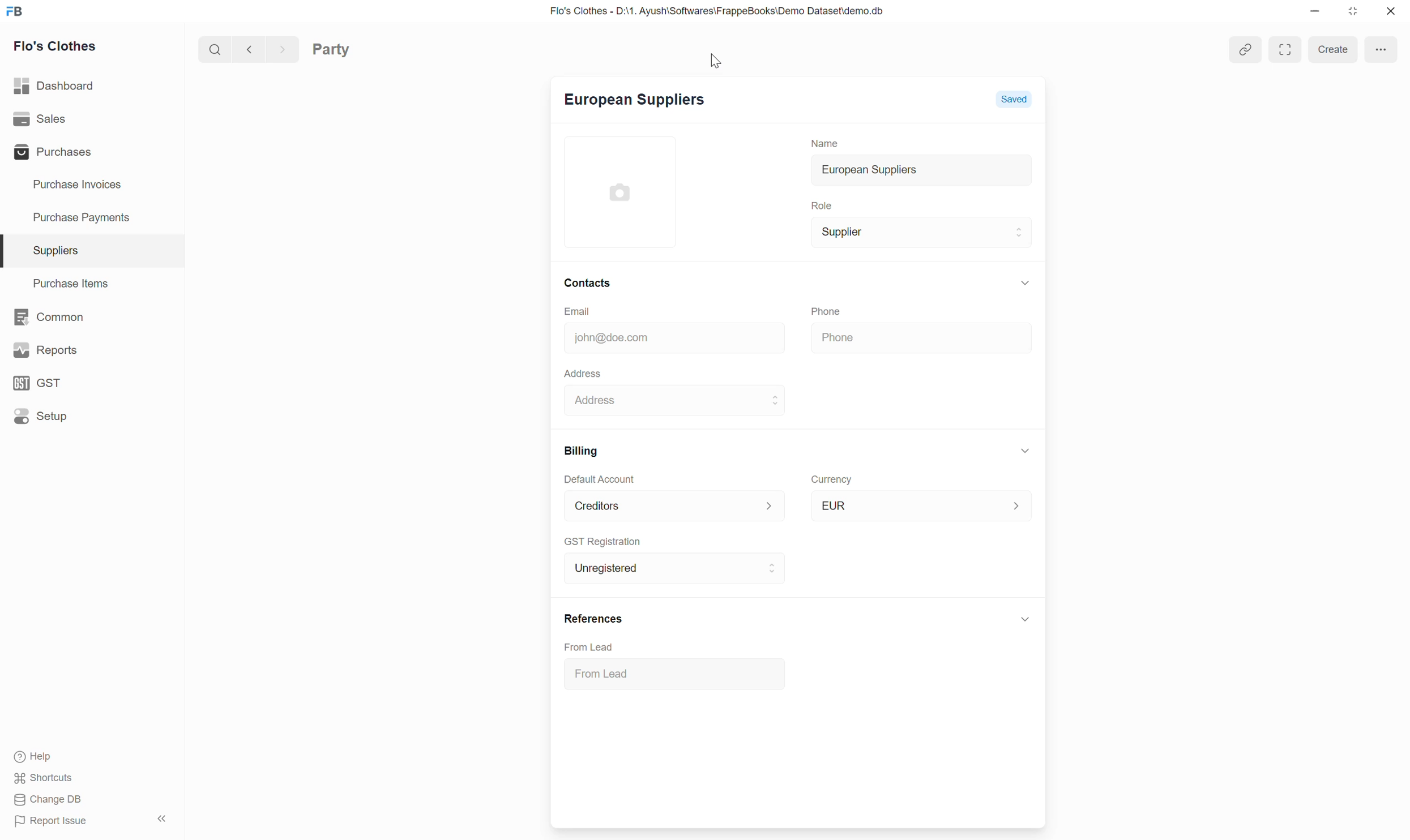 The height and width of the screenshot is (840, 1410). Describe the element at coordinates (55, 251) in the screenshot. I see `suppliers` at that location.